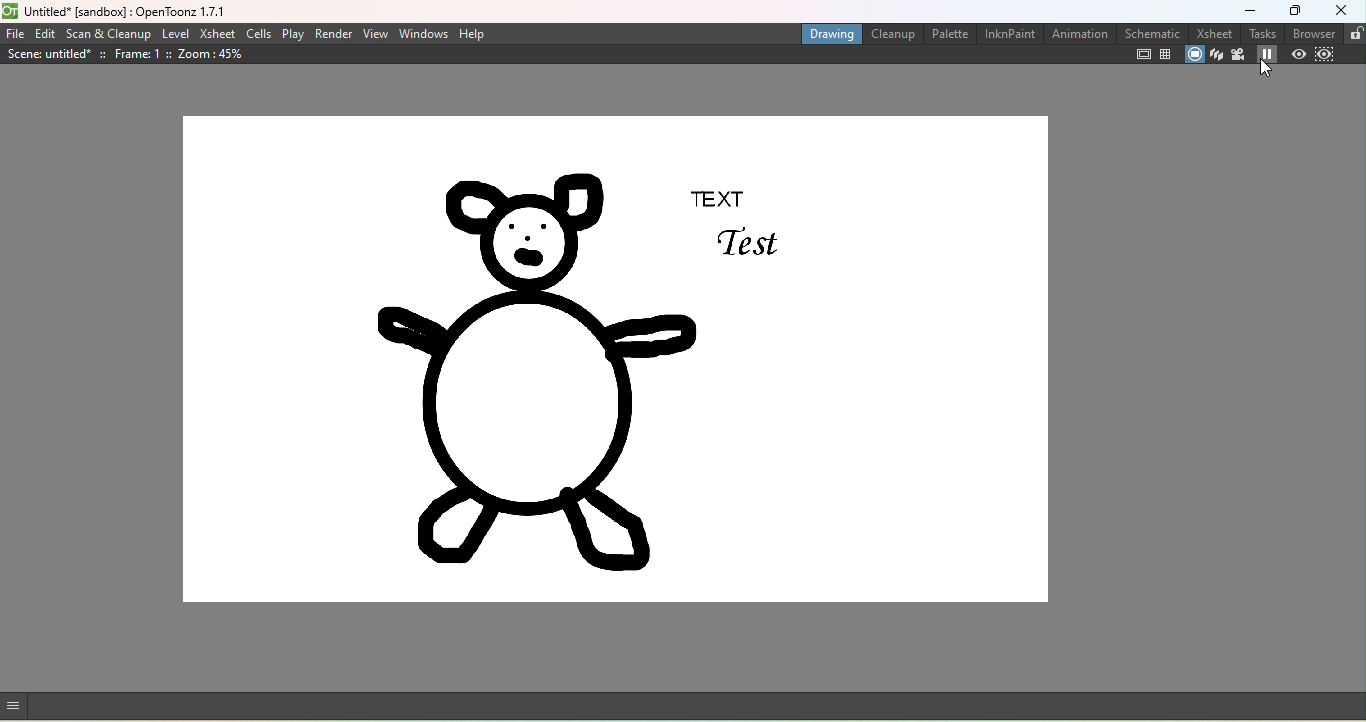 This screenshot has width=1366, height=722. I want to click on Level, so click(174, 34).